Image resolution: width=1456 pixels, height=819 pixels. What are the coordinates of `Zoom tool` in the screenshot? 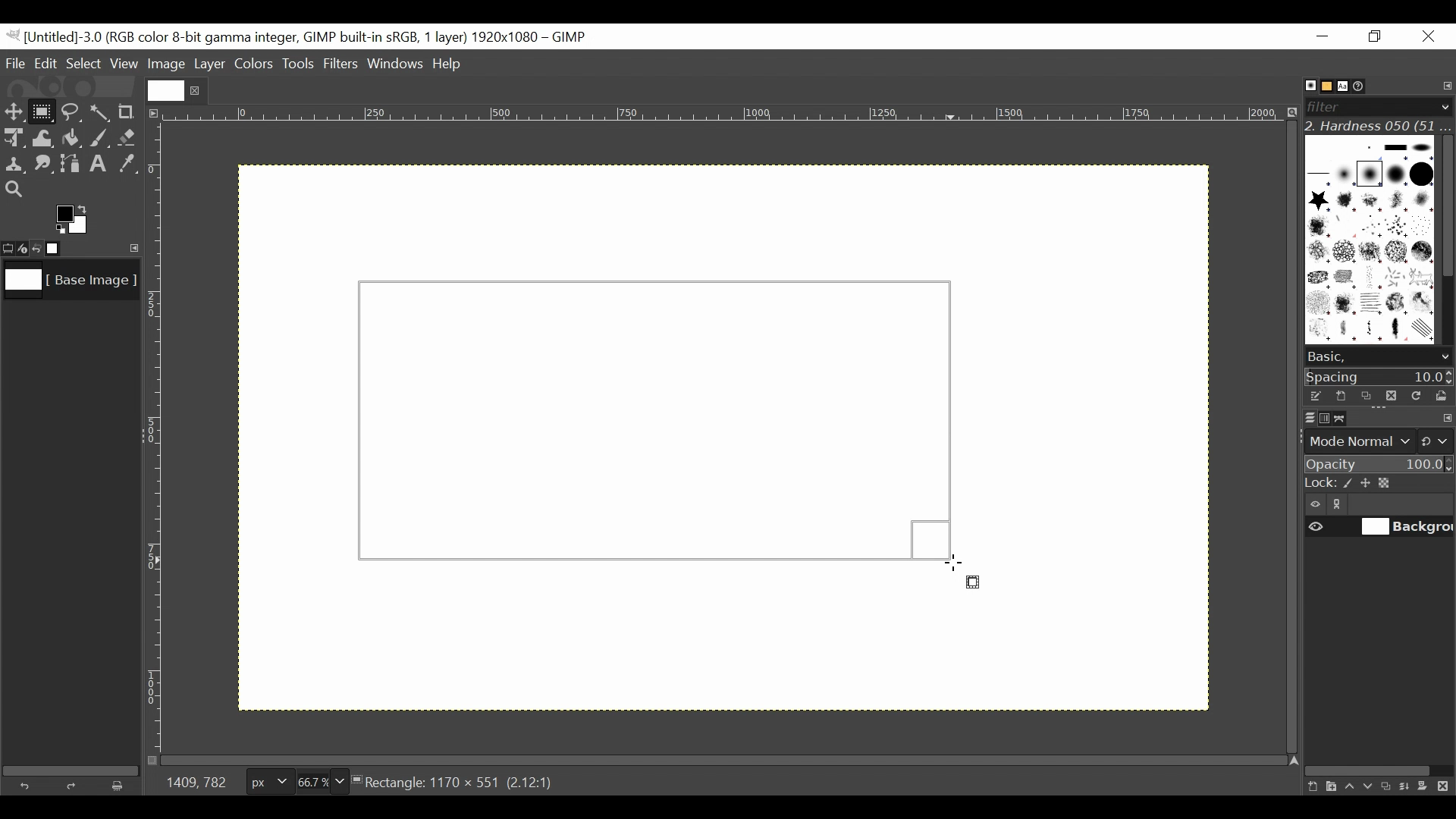 It's located at (14, 188).